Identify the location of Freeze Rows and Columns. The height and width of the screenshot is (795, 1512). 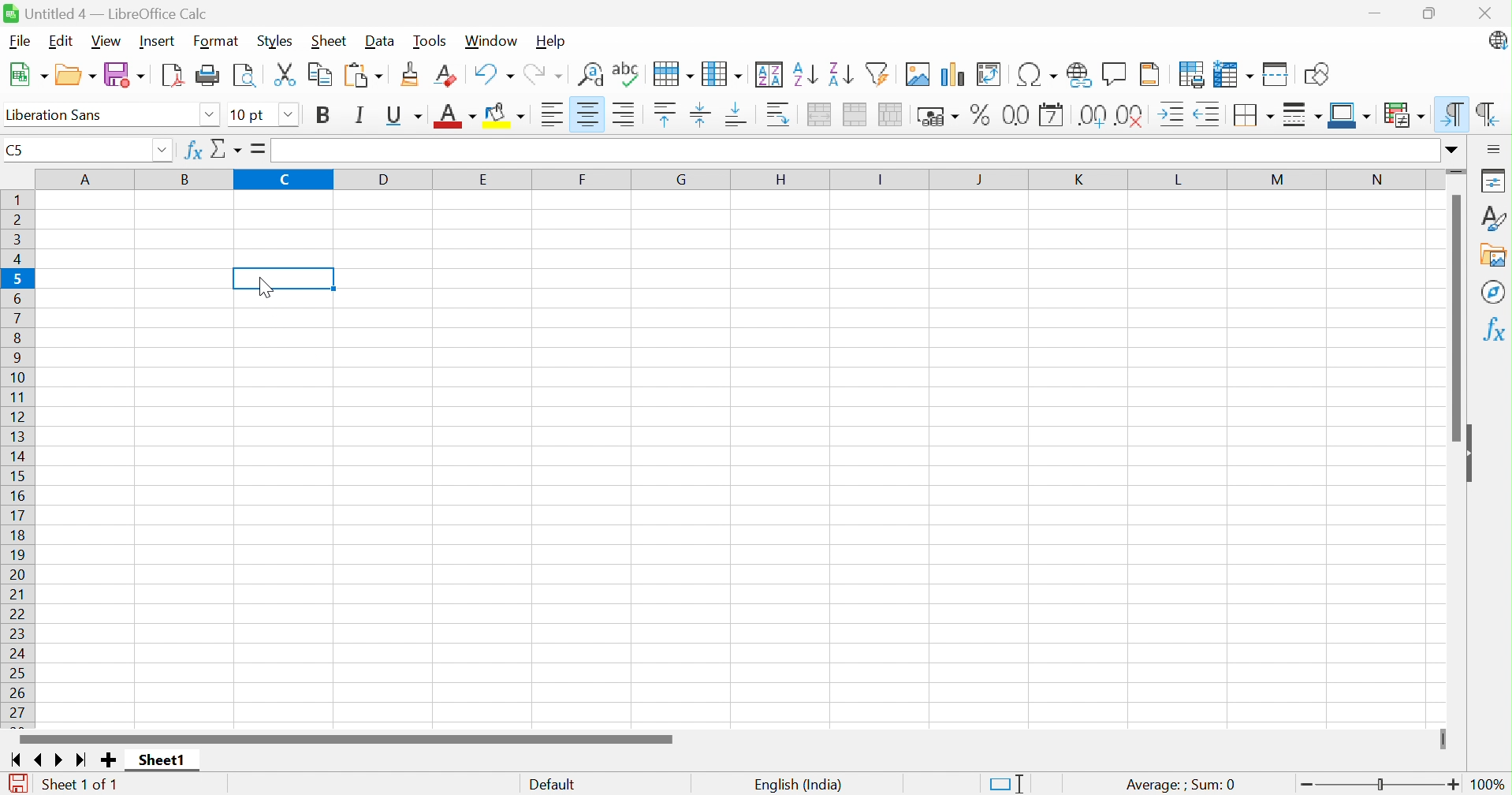
(1235, 74).